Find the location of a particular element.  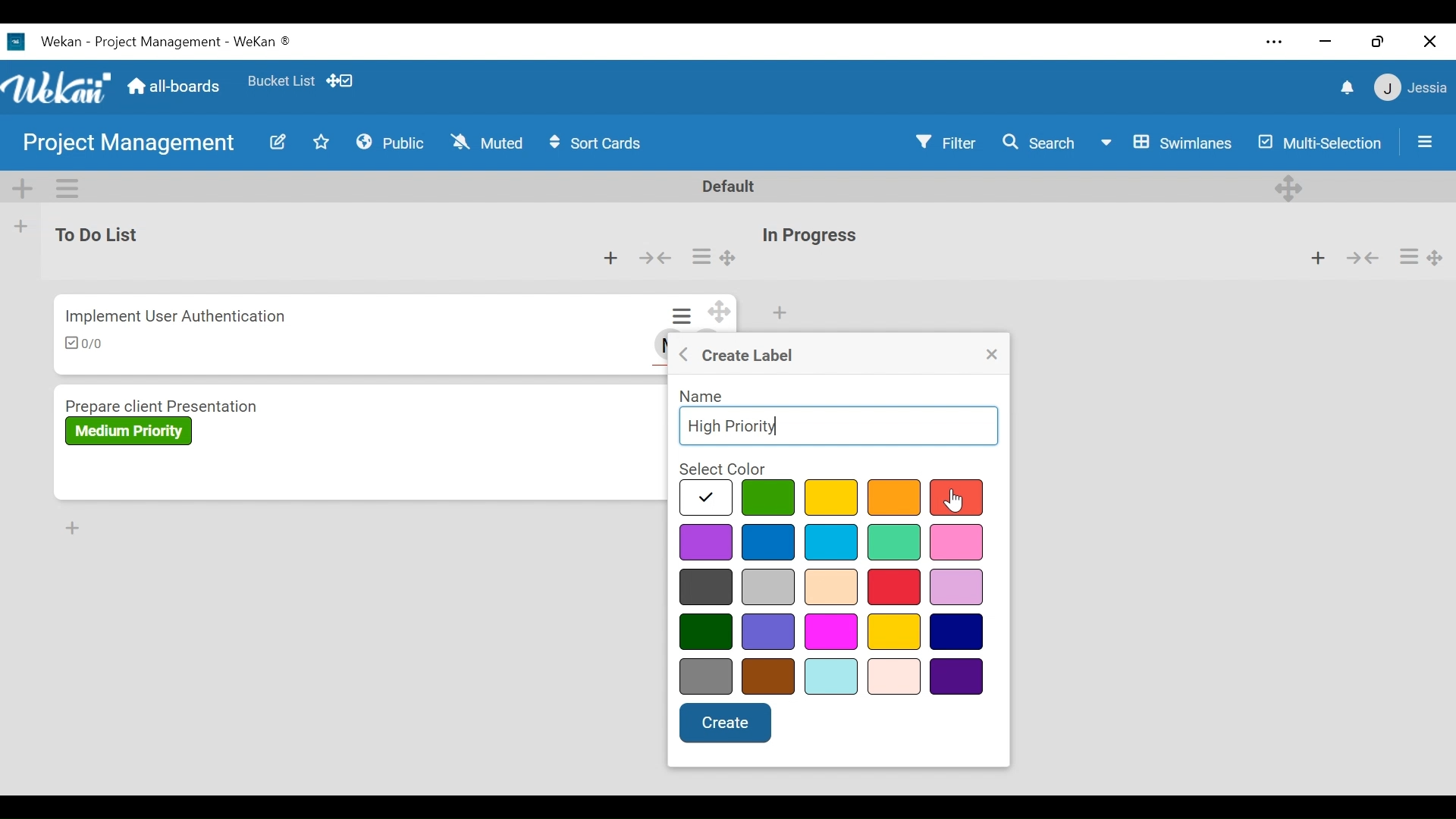

Member Settings is located at coordinates (1411, 87).